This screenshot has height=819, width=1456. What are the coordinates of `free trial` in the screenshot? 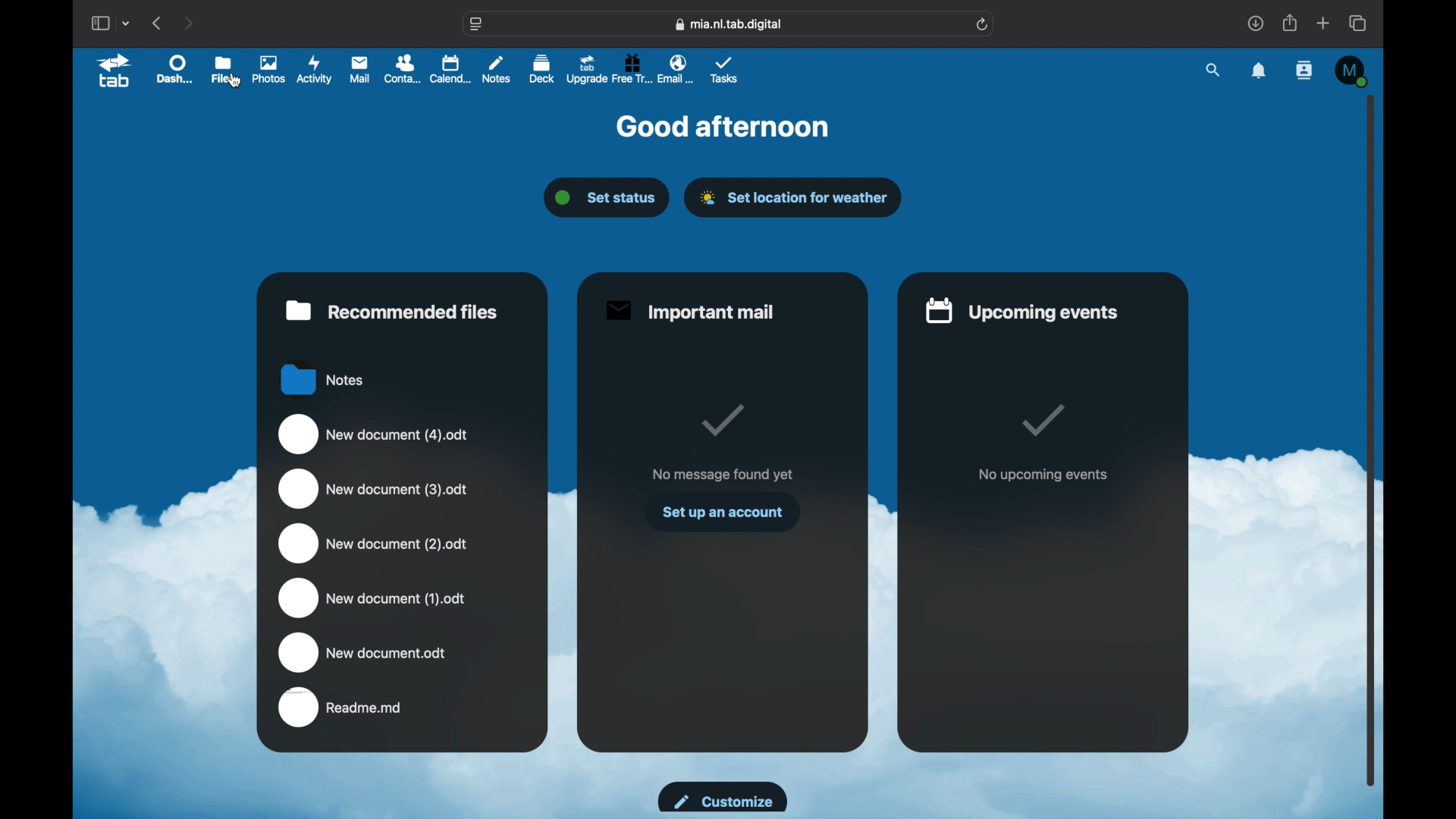 It's located at (632, 68).